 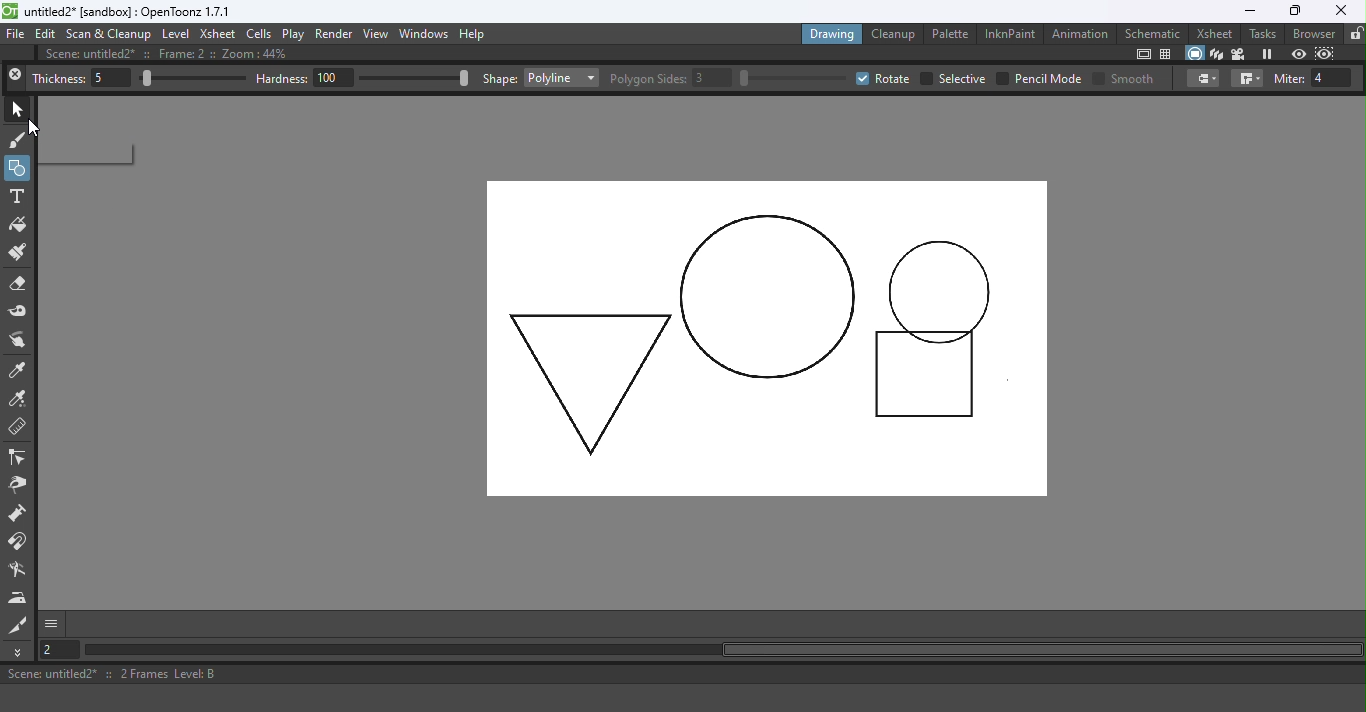 I want to click on Thickness, so click(x=82, y=79).